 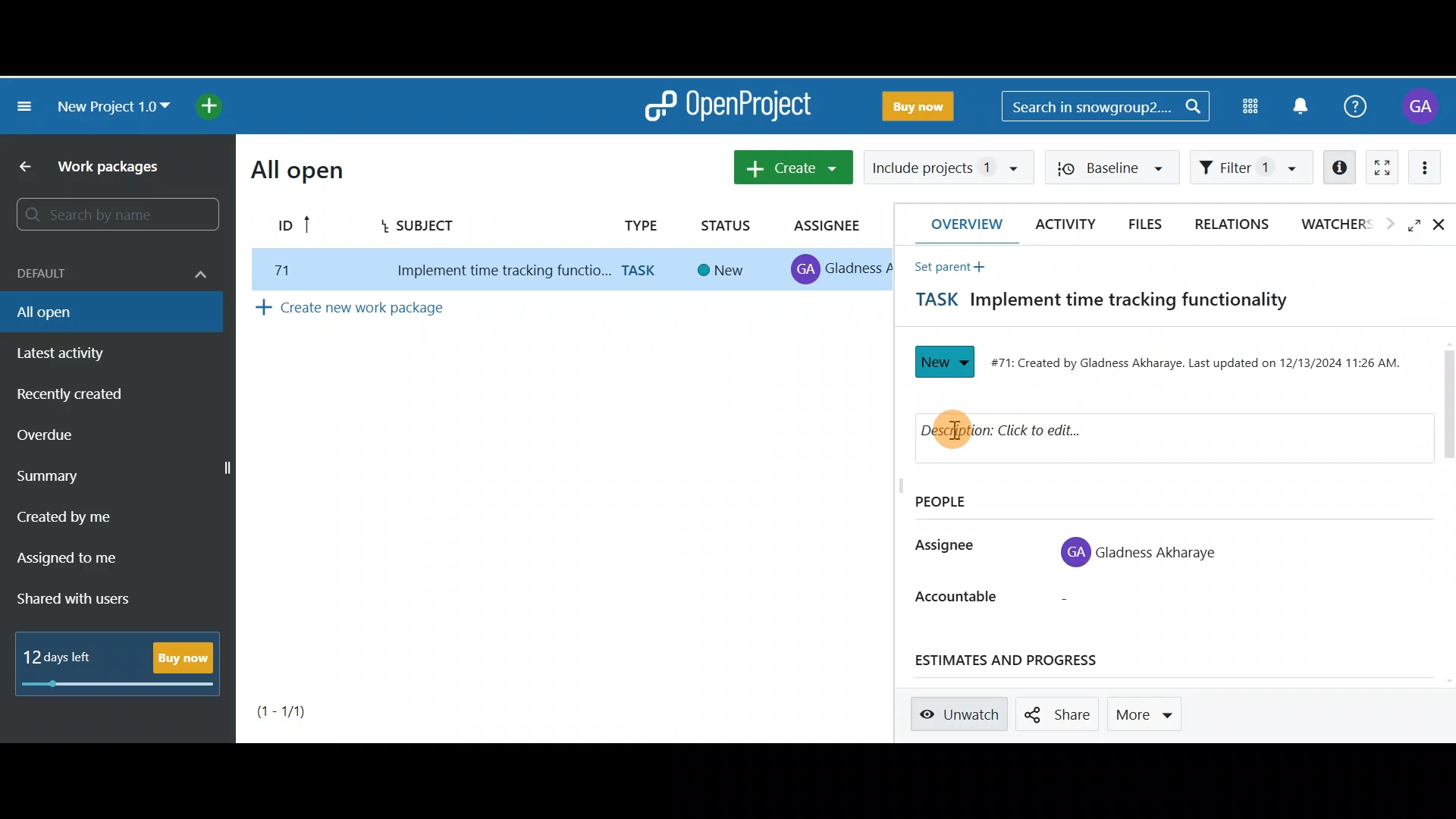 I want to click on Activity, so click(x=1062, y=224).